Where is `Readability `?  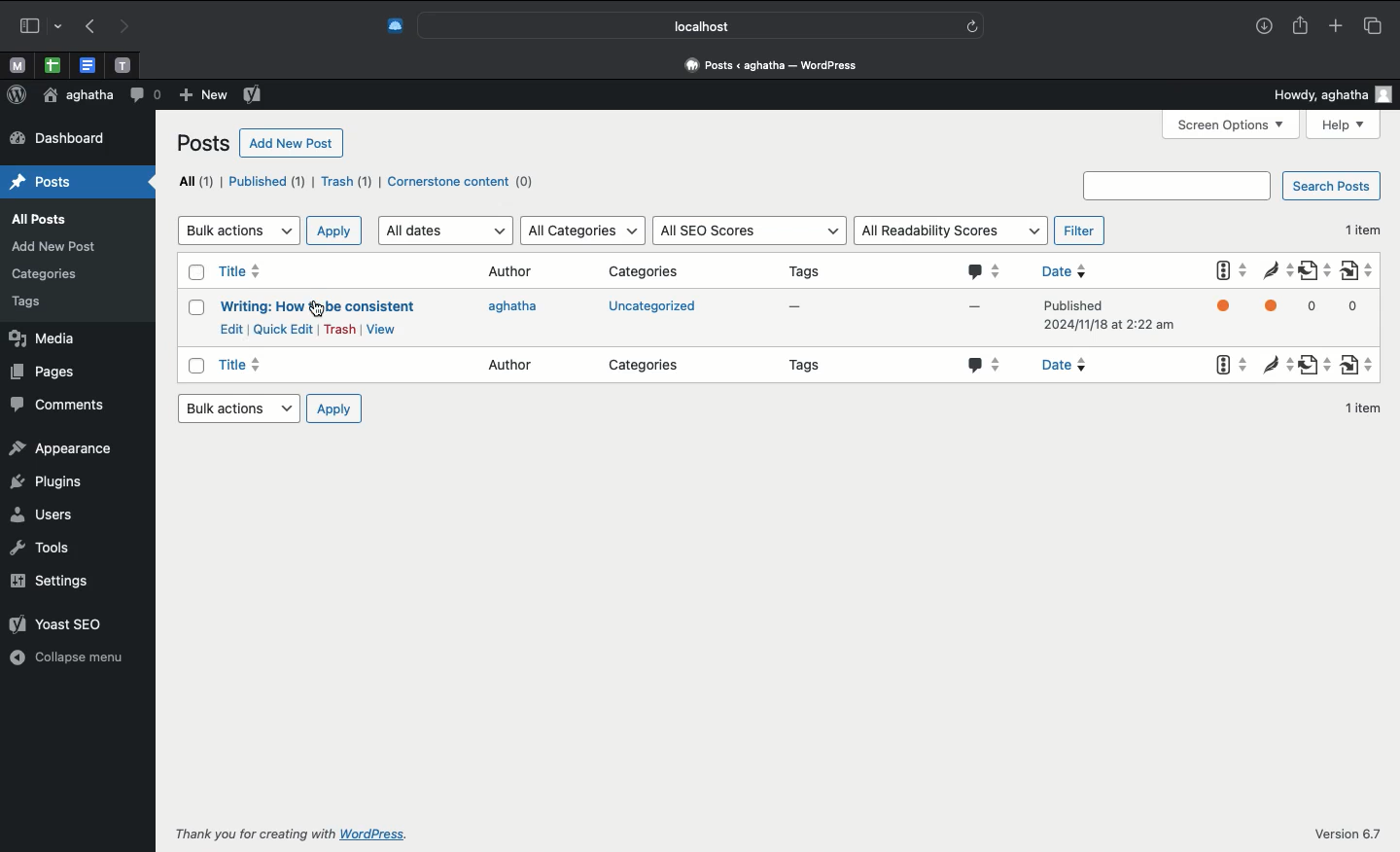
Readability  is located at coordinates (1277, 271).